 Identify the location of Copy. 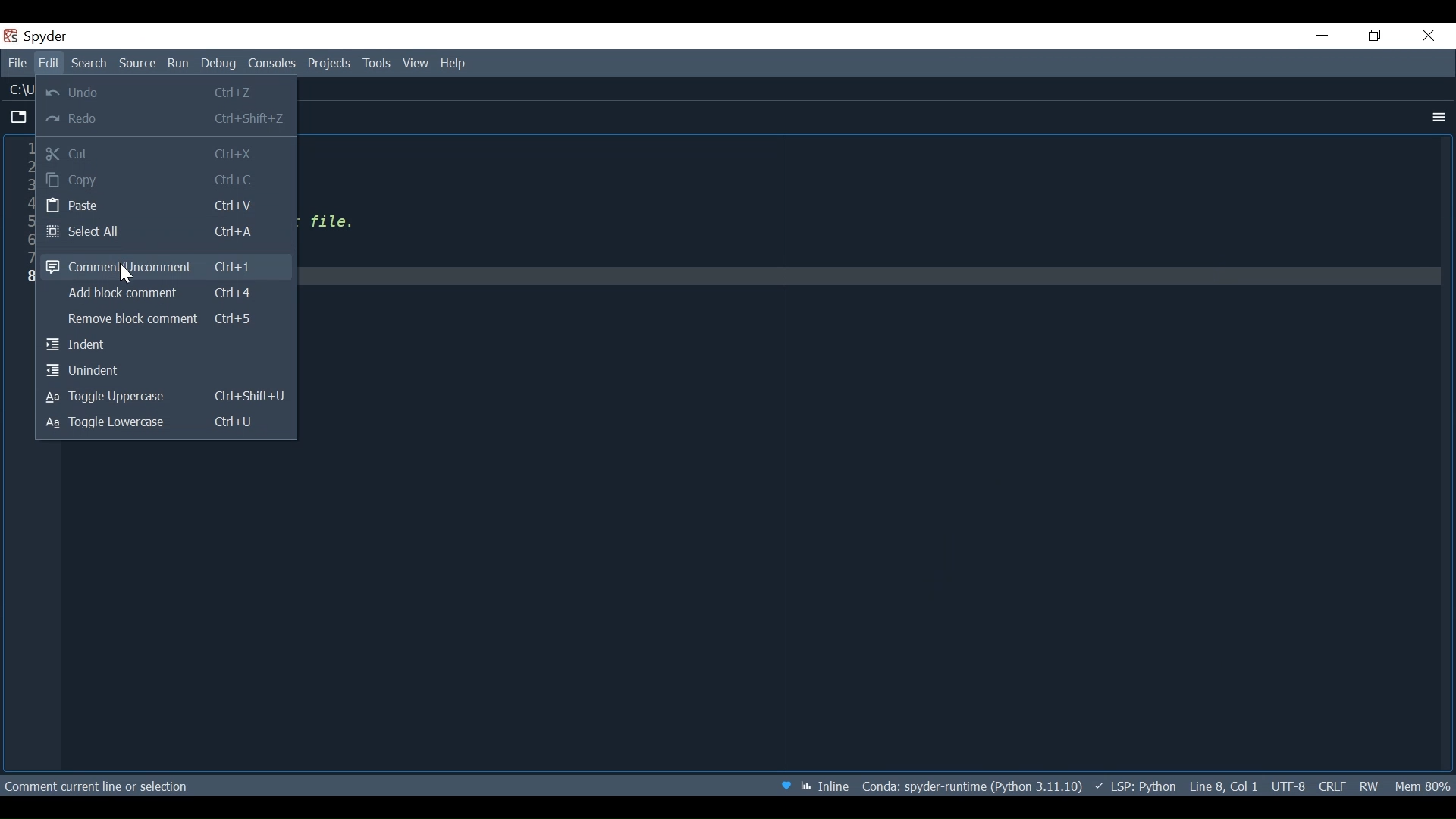
(167, 180).